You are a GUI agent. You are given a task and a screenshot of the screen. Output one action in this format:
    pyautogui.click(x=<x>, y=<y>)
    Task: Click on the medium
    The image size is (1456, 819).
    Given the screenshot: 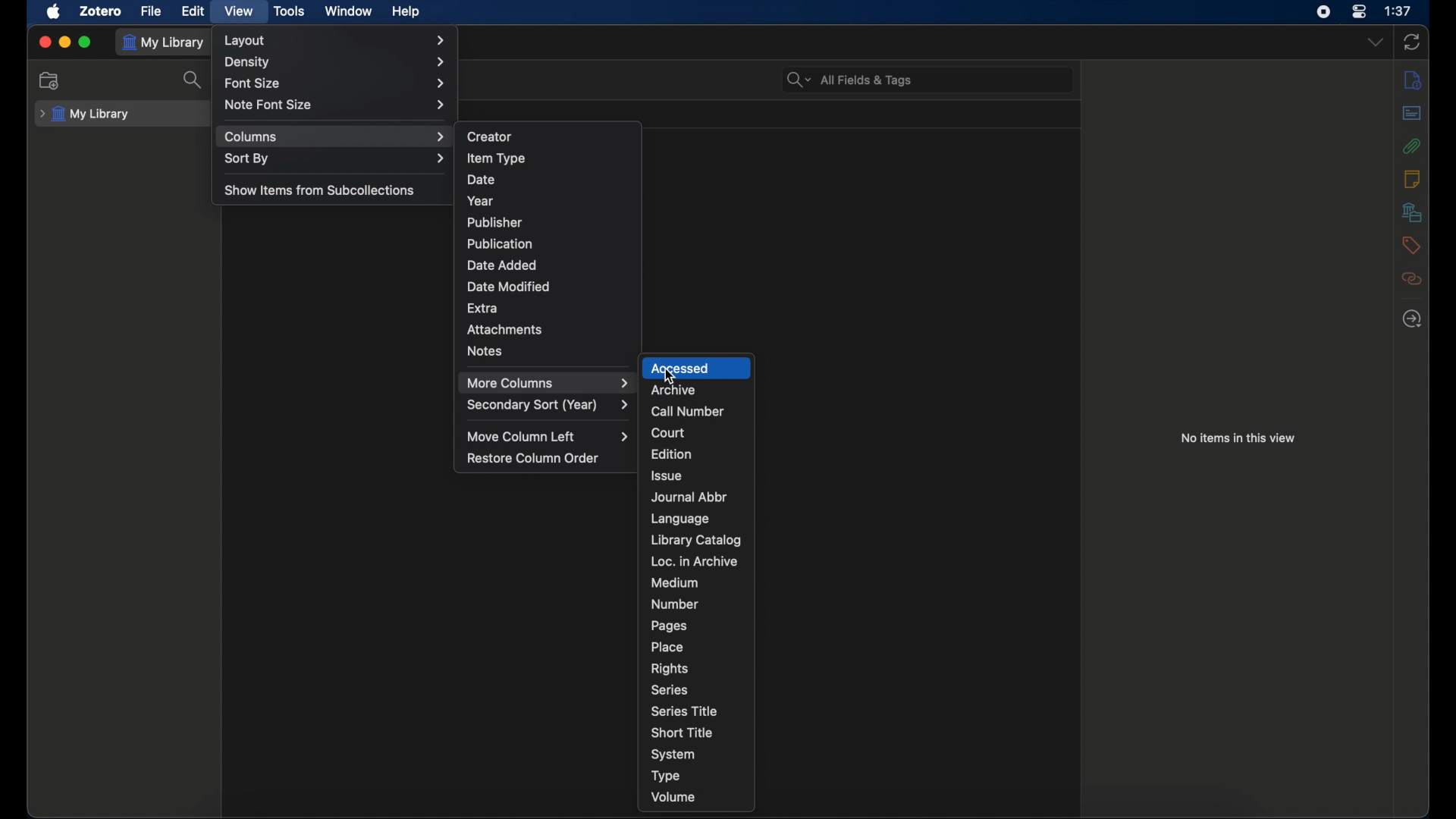 What is the action you would take?
    pyautogui.click(x=674, y=583)
    